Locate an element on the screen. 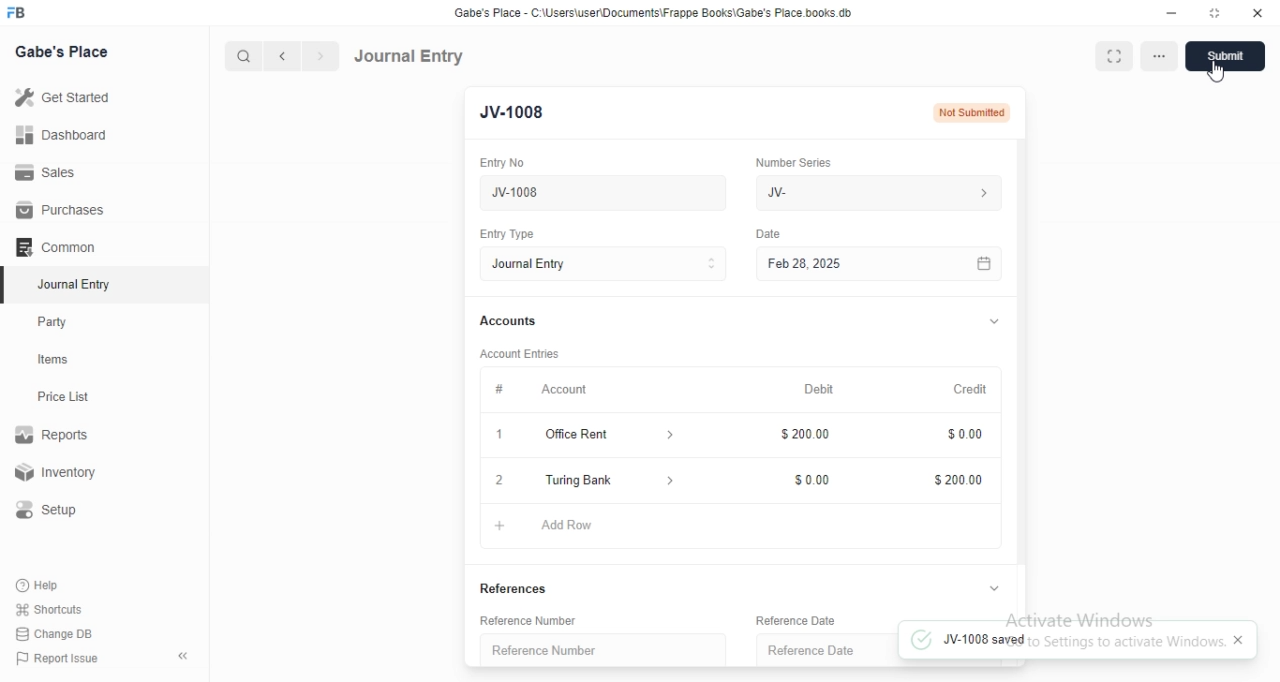 This screenshot has width=1280, height=682.  is located at coordinates (495, 387).